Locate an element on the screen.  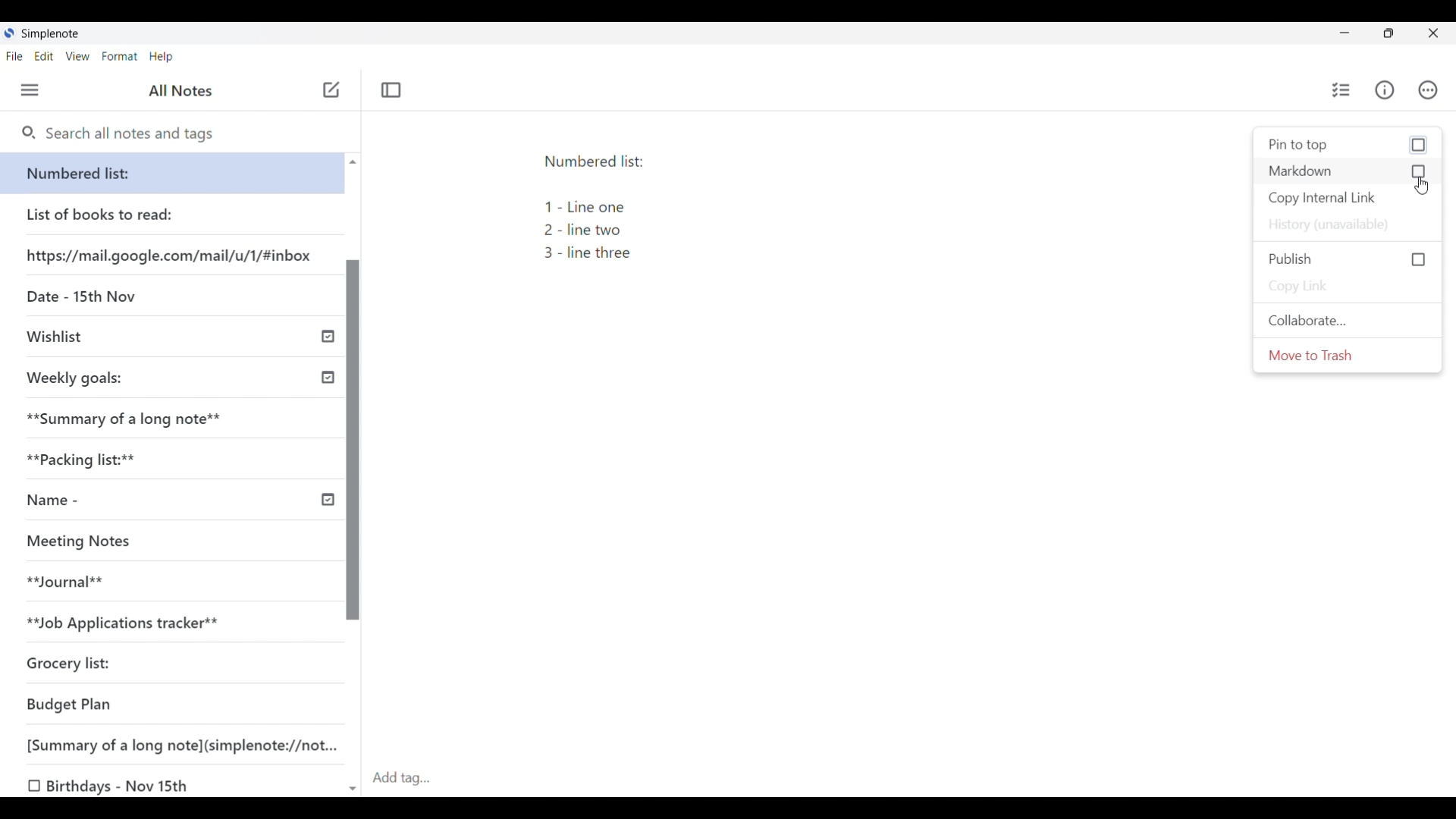
Toggle focus mode is located at coordinates (392, 89).